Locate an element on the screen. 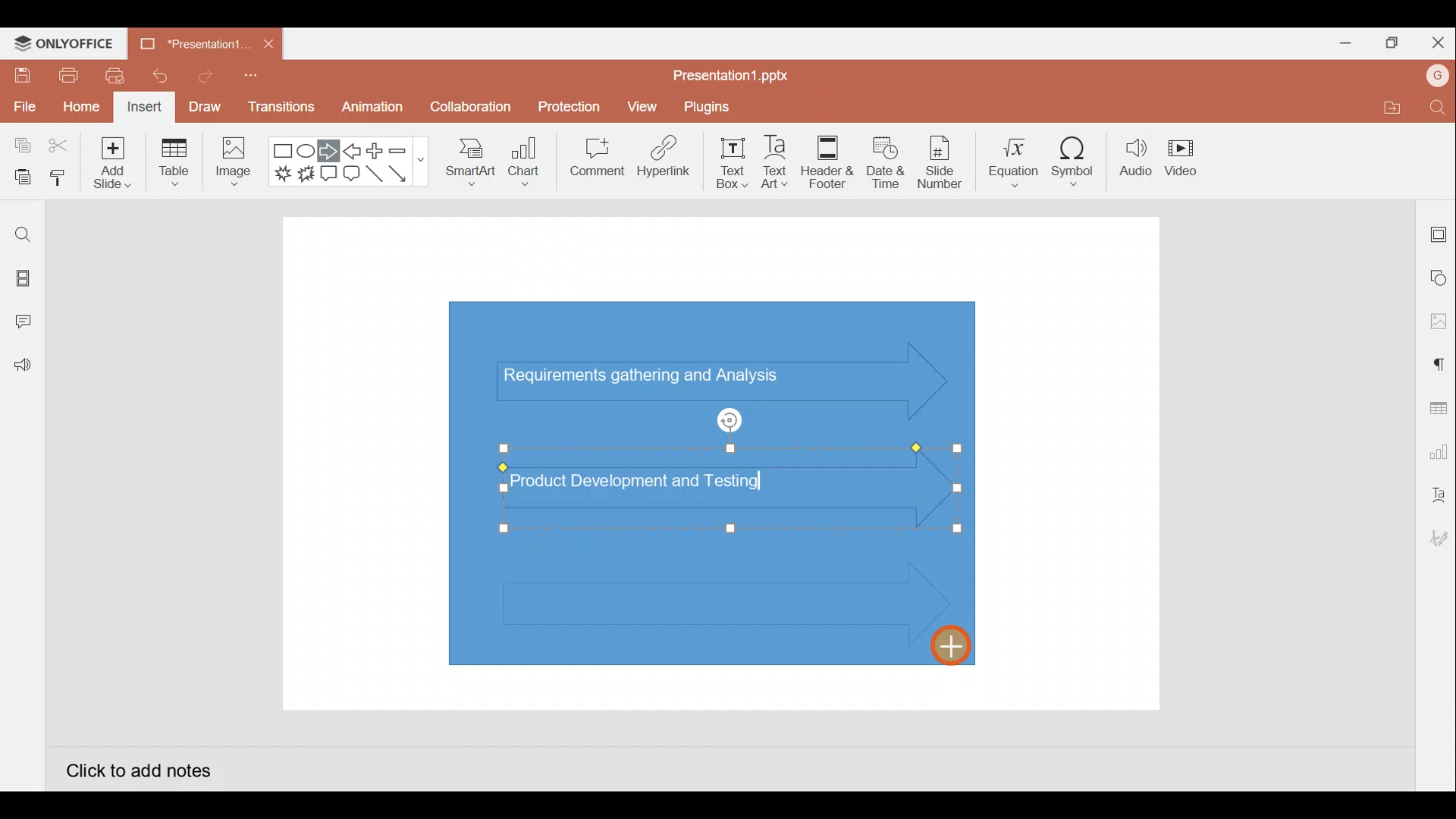  Text (Product Development and Testing) on 2nd inserted arrow is located at coordinates (651, 479).